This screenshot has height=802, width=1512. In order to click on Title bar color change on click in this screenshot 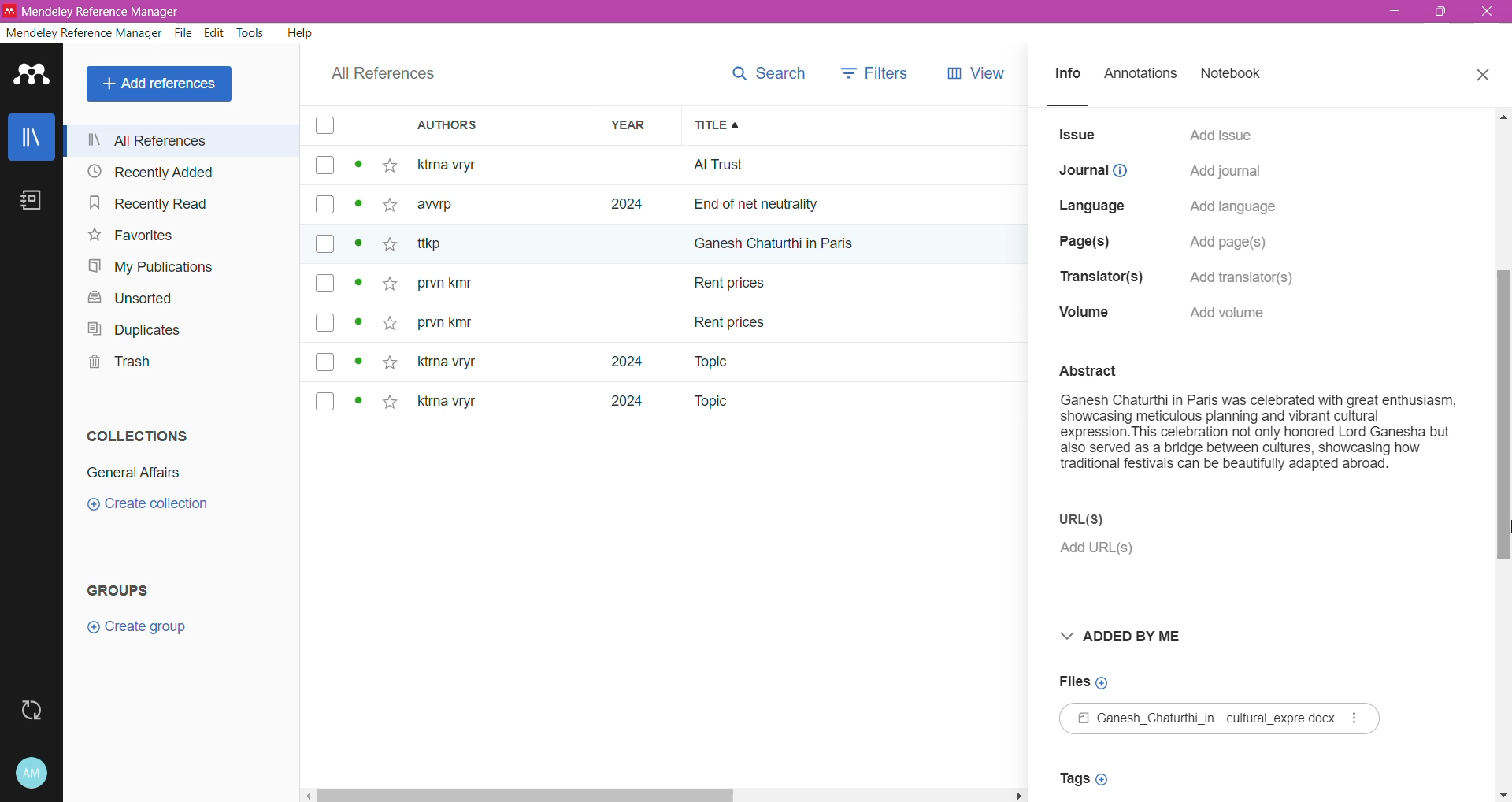, I will do `click(756, 12)`.